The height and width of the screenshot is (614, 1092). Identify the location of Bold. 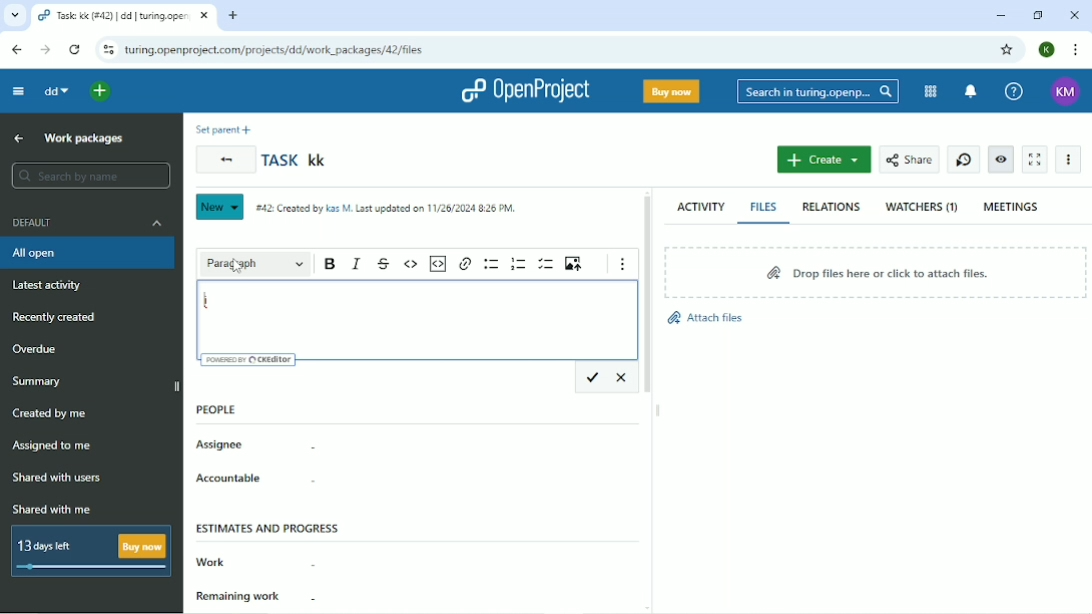
(331, 264).